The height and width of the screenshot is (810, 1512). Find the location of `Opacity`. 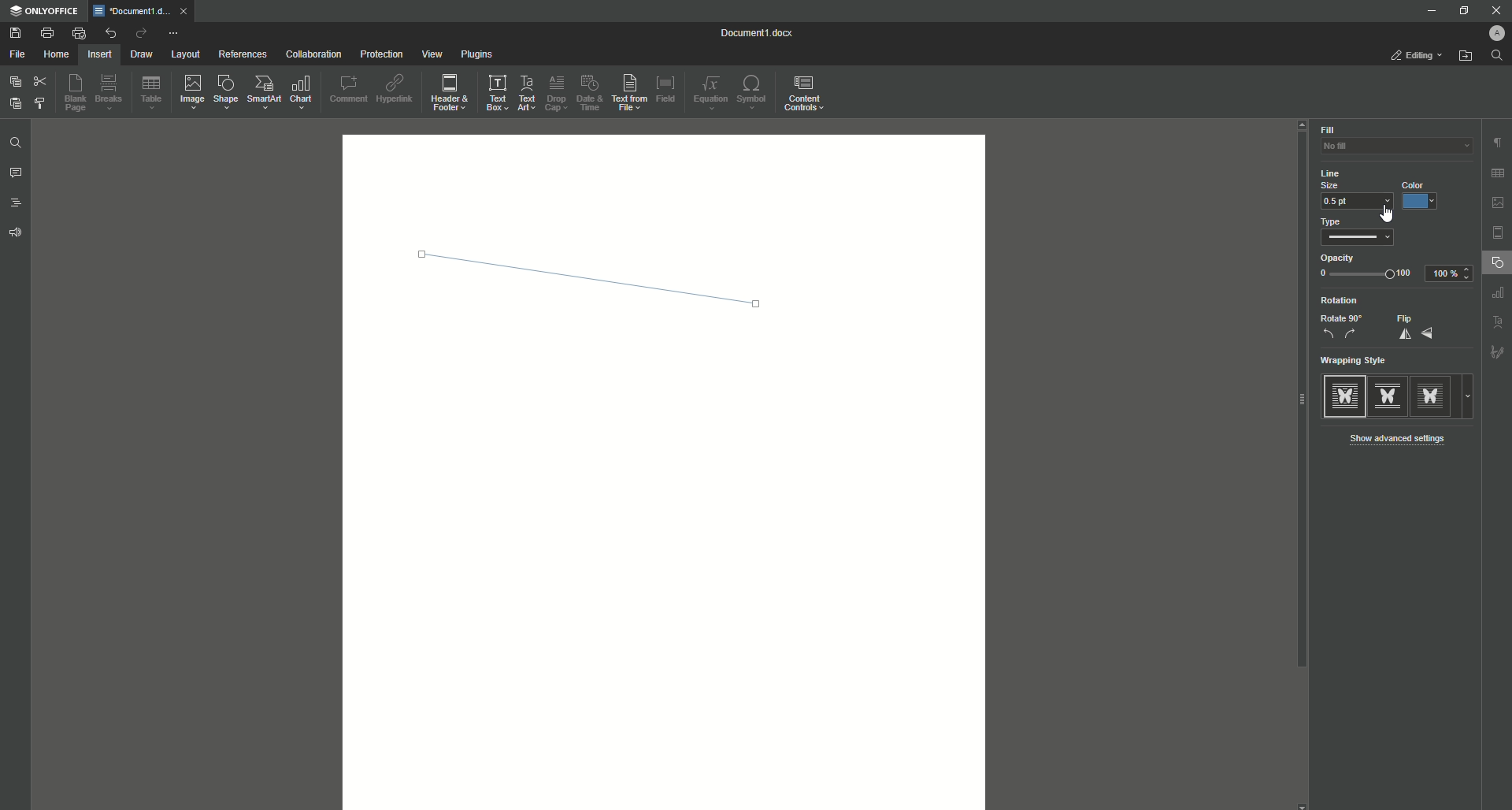

Opacity is located at coordinates (1365, 267).